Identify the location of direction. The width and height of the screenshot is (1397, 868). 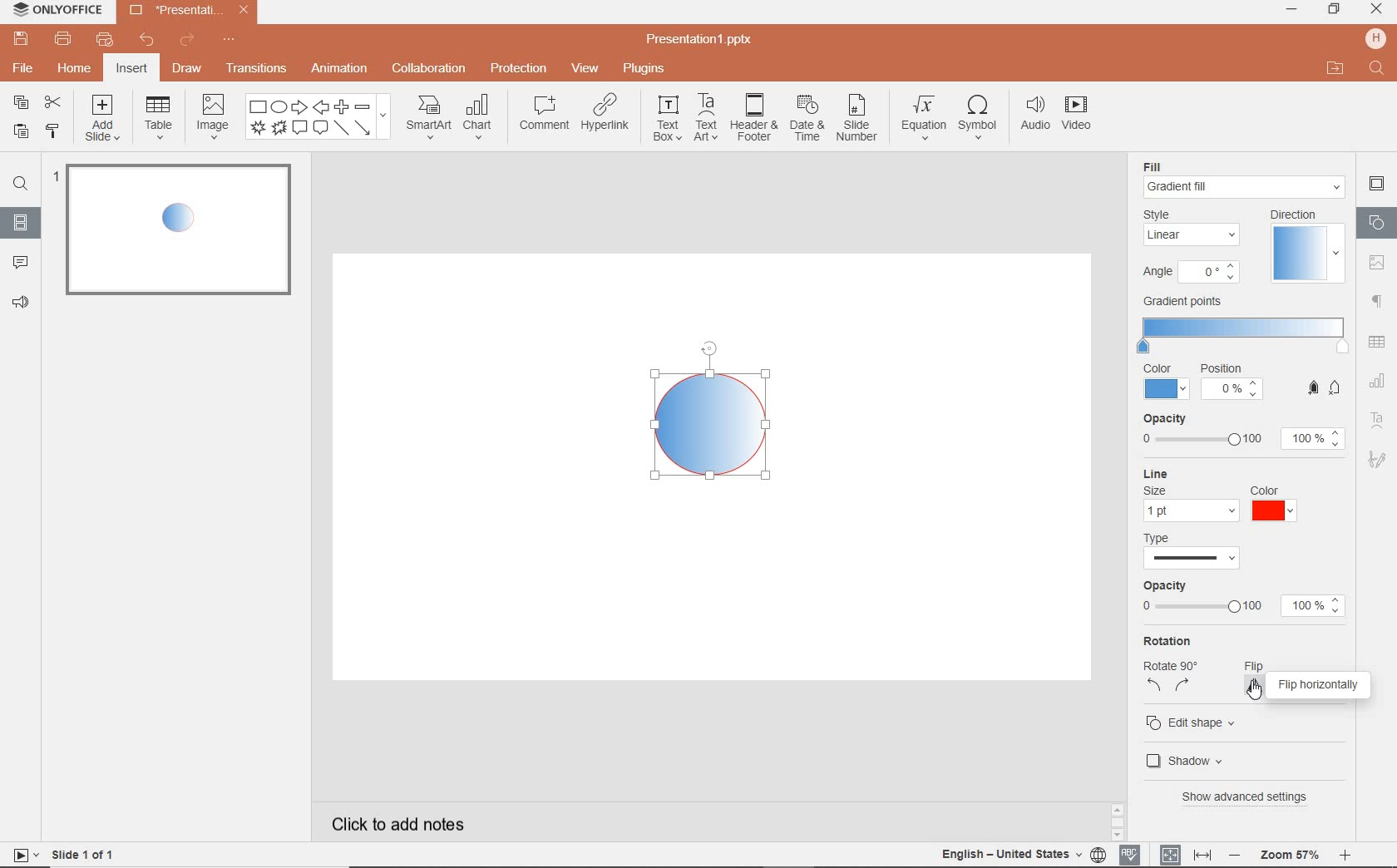
(1305, 245).